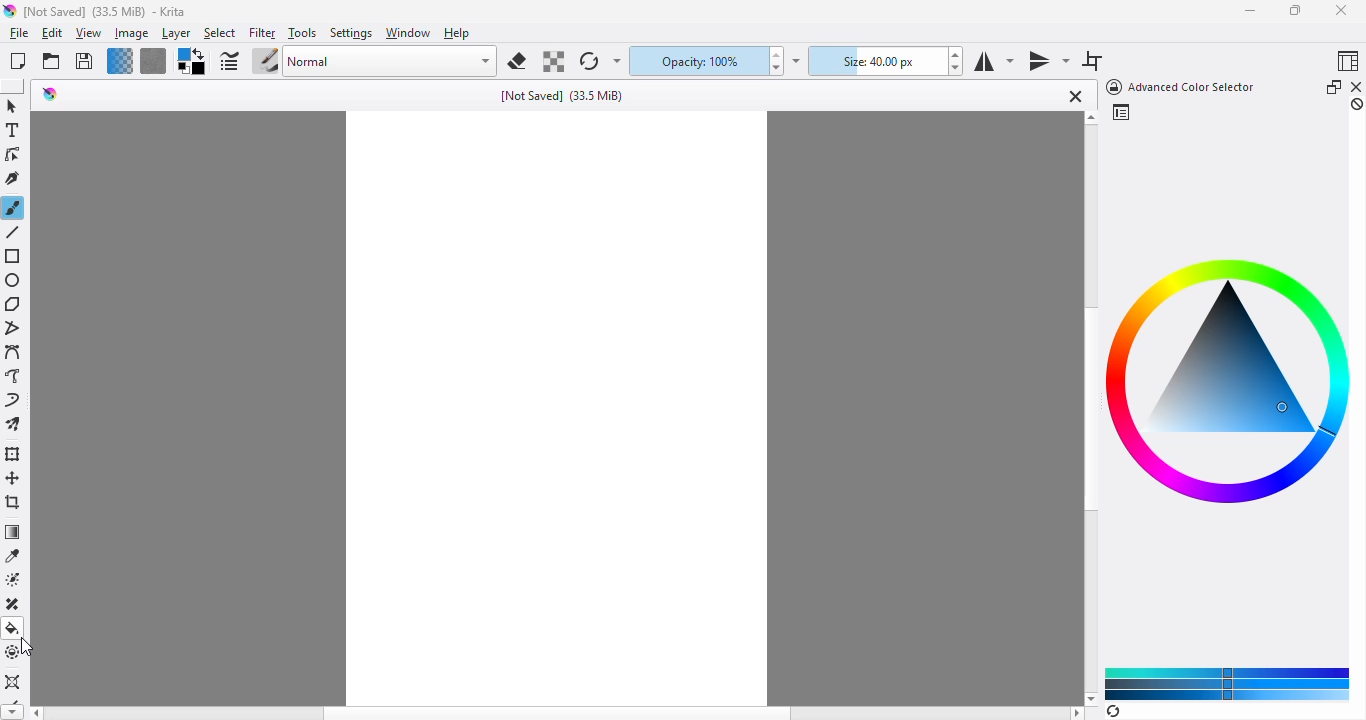  Describe the element at coordinates (9, 11) in the screenshot. I see `logo` at that location.